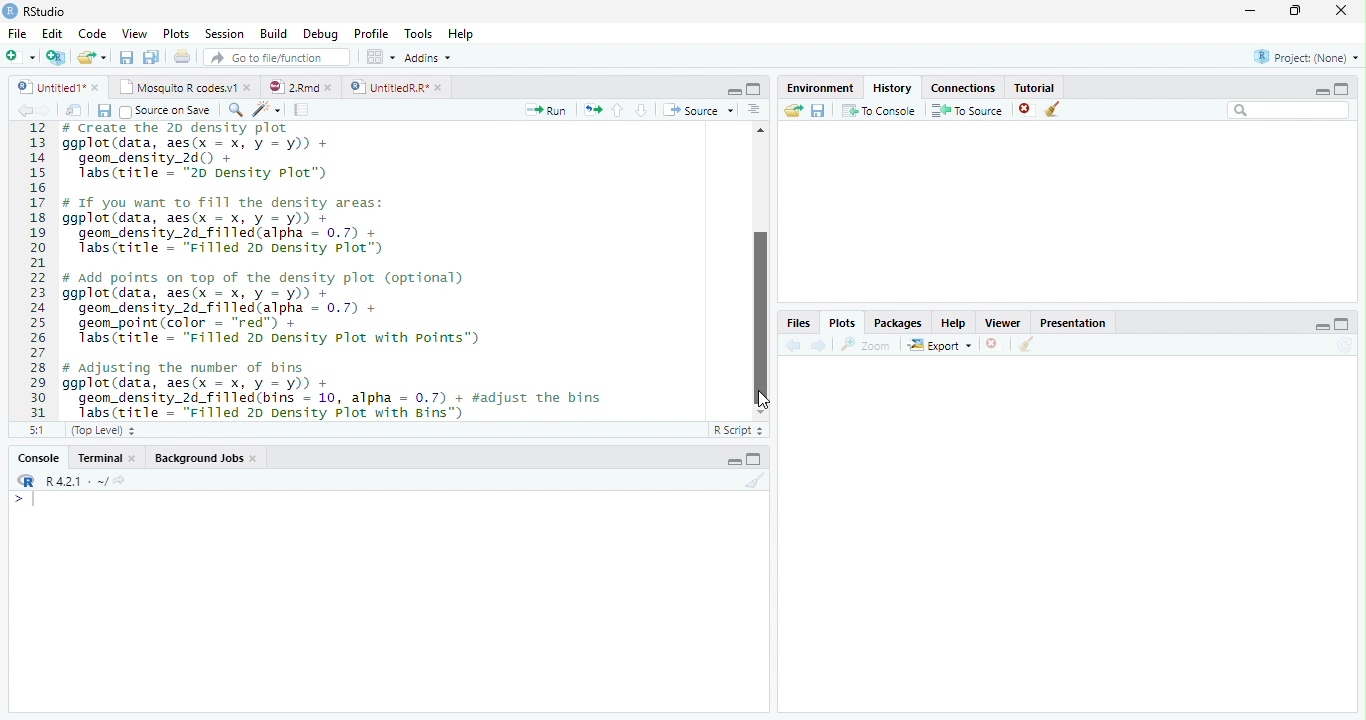  I want to click on close, so click(440, 87).